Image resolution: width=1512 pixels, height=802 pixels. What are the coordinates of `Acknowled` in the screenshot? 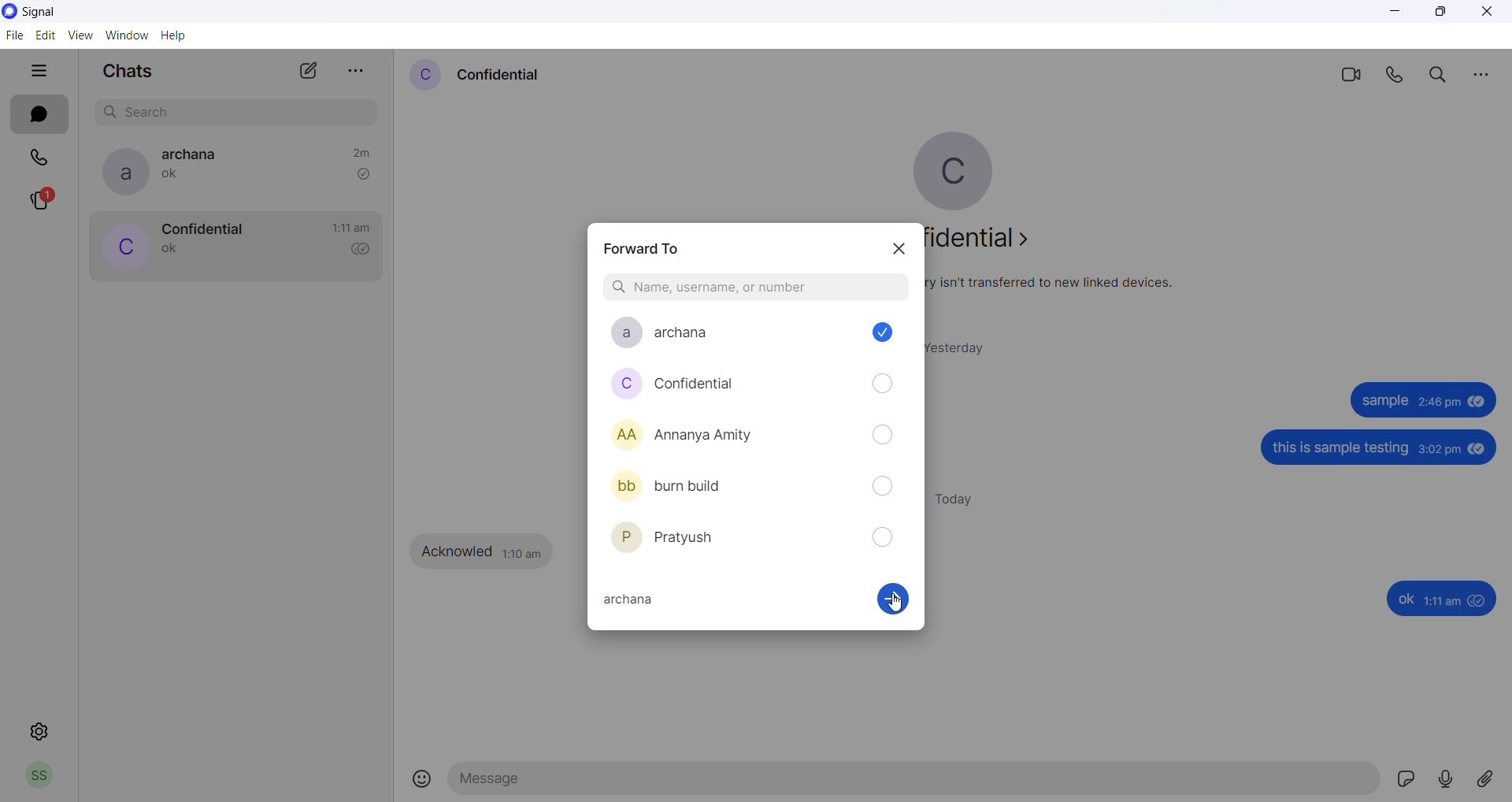 It's located at (458, 551).